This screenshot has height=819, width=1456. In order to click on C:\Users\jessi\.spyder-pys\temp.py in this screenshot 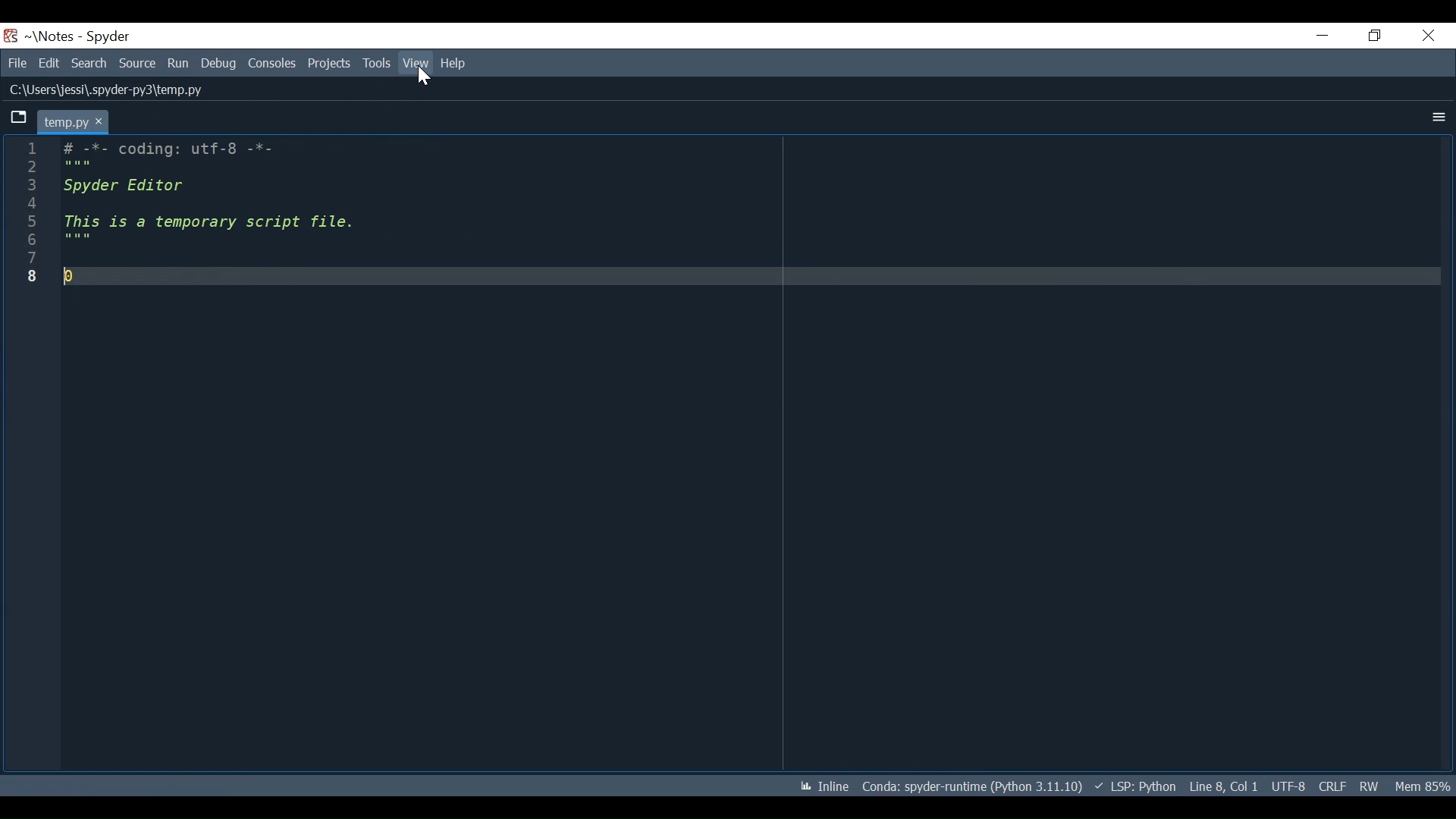, I will do `click(119, 91)`.